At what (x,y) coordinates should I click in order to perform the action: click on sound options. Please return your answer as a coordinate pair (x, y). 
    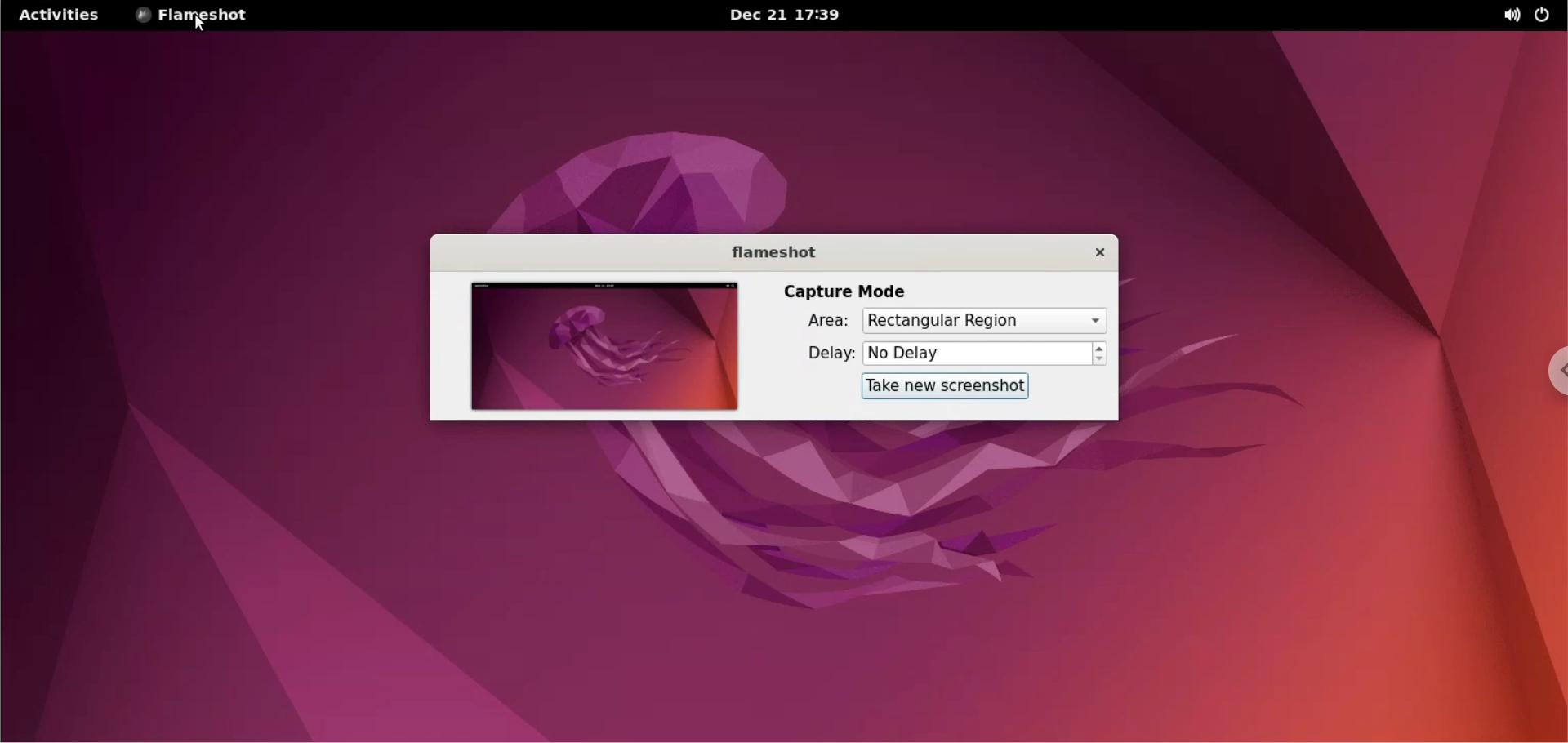
    Looking at the image, I should click on (1505, 15).